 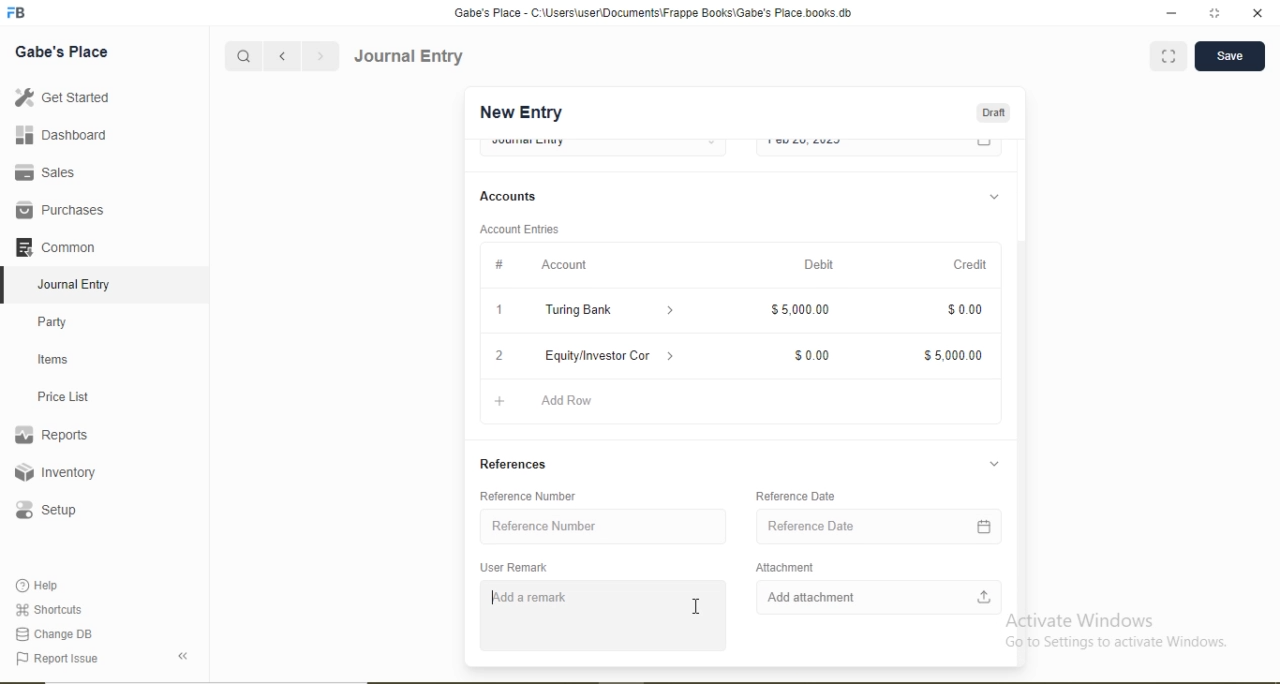 I want to click on $5,000.00, so click(x=952, y=356).